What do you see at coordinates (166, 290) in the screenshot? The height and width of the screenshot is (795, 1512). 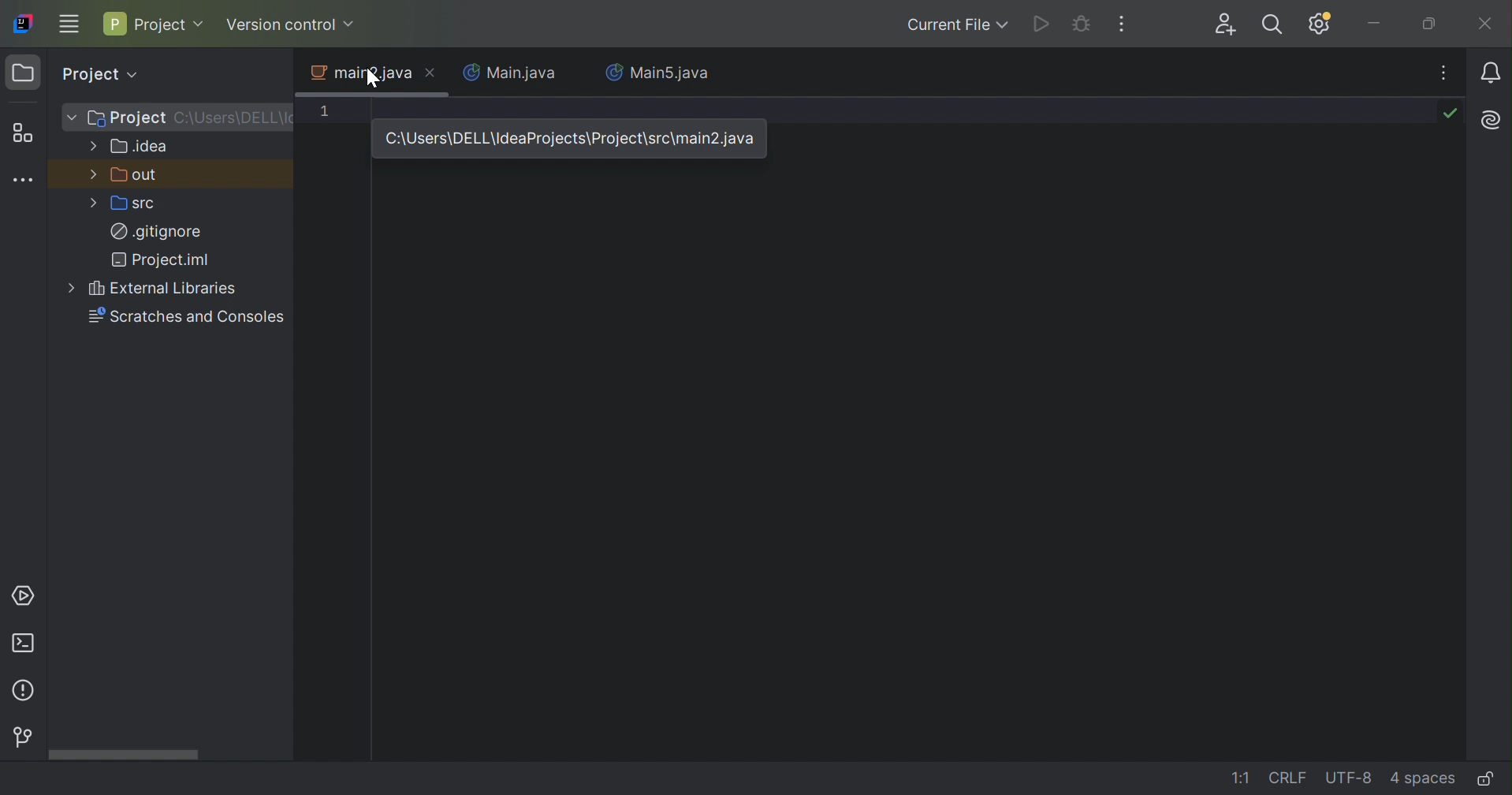 I see `External Libraries` at bounding box center [166, 290].